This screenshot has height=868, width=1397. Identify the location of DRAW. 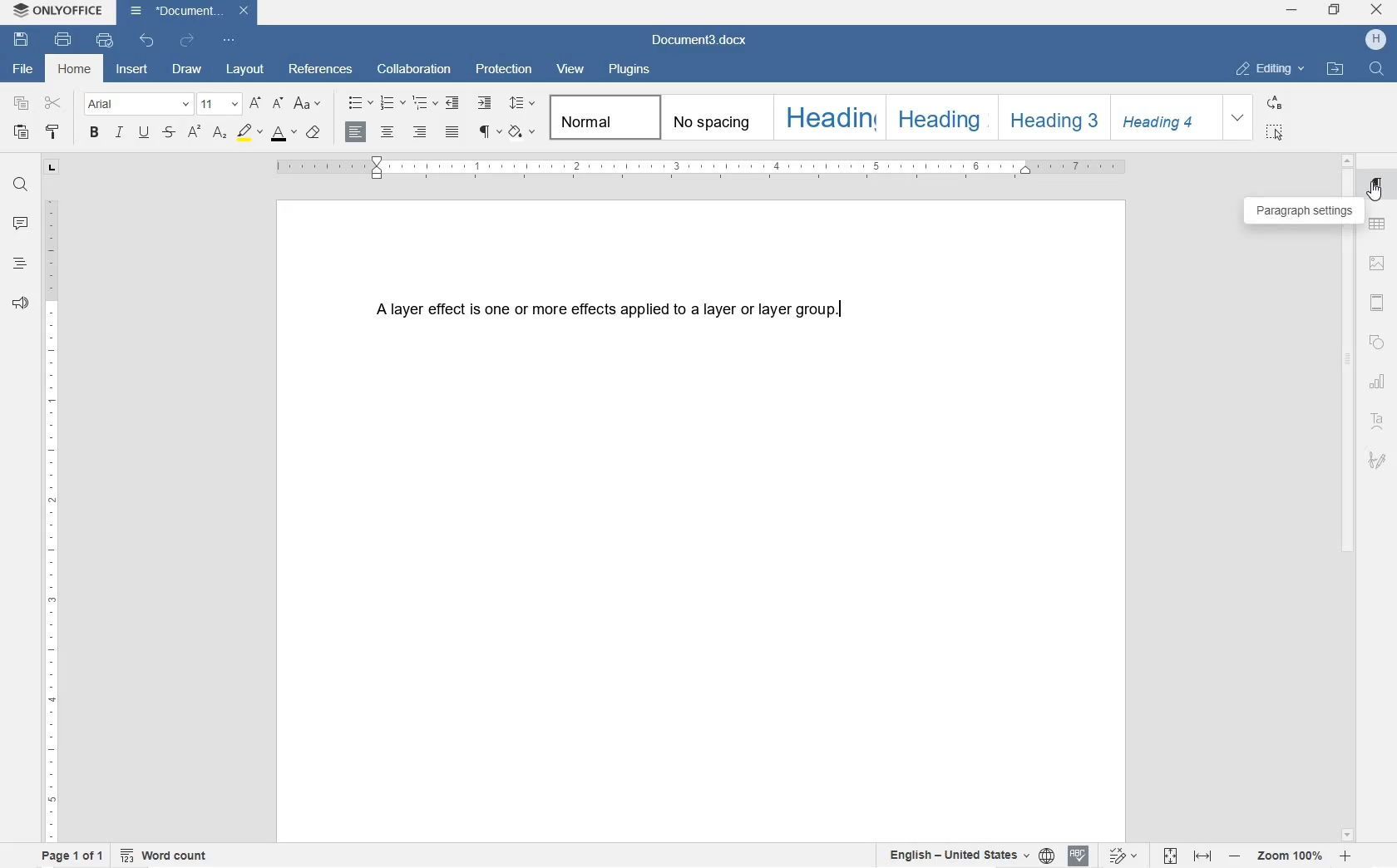
(186, 69).